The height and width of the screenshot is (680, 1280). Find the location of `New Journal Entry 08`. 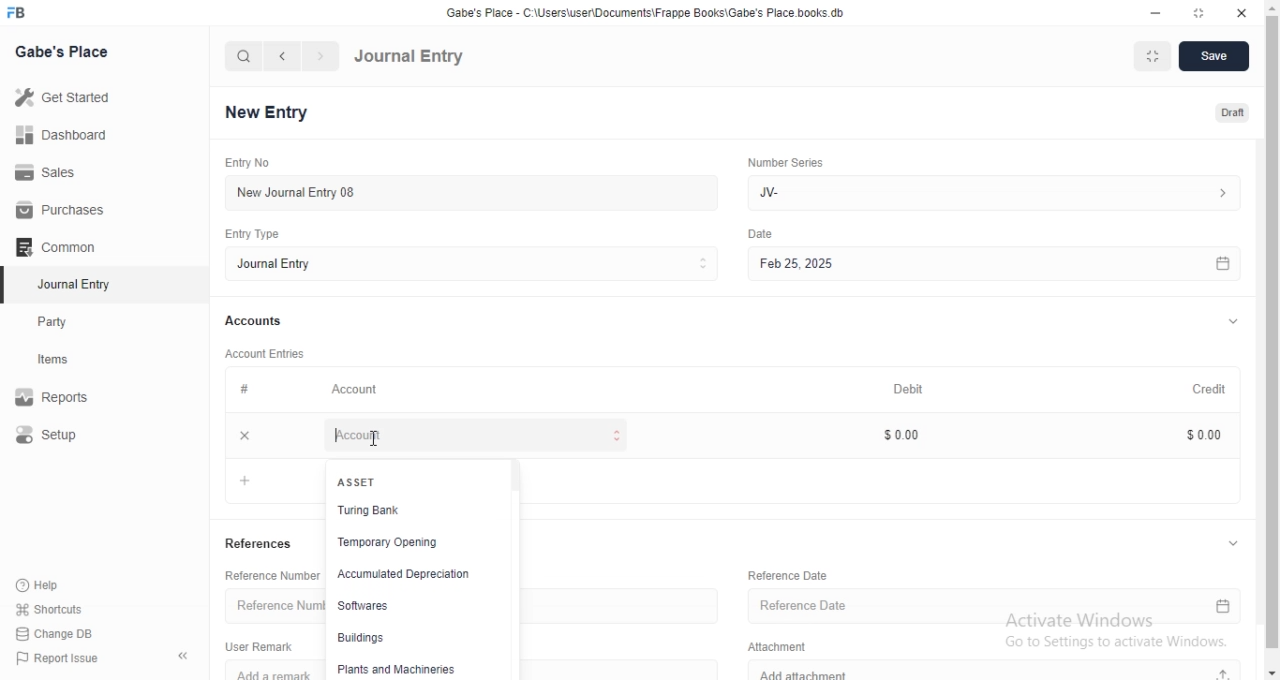

New Journal Entry 08 is located at coordinates (470, 192).